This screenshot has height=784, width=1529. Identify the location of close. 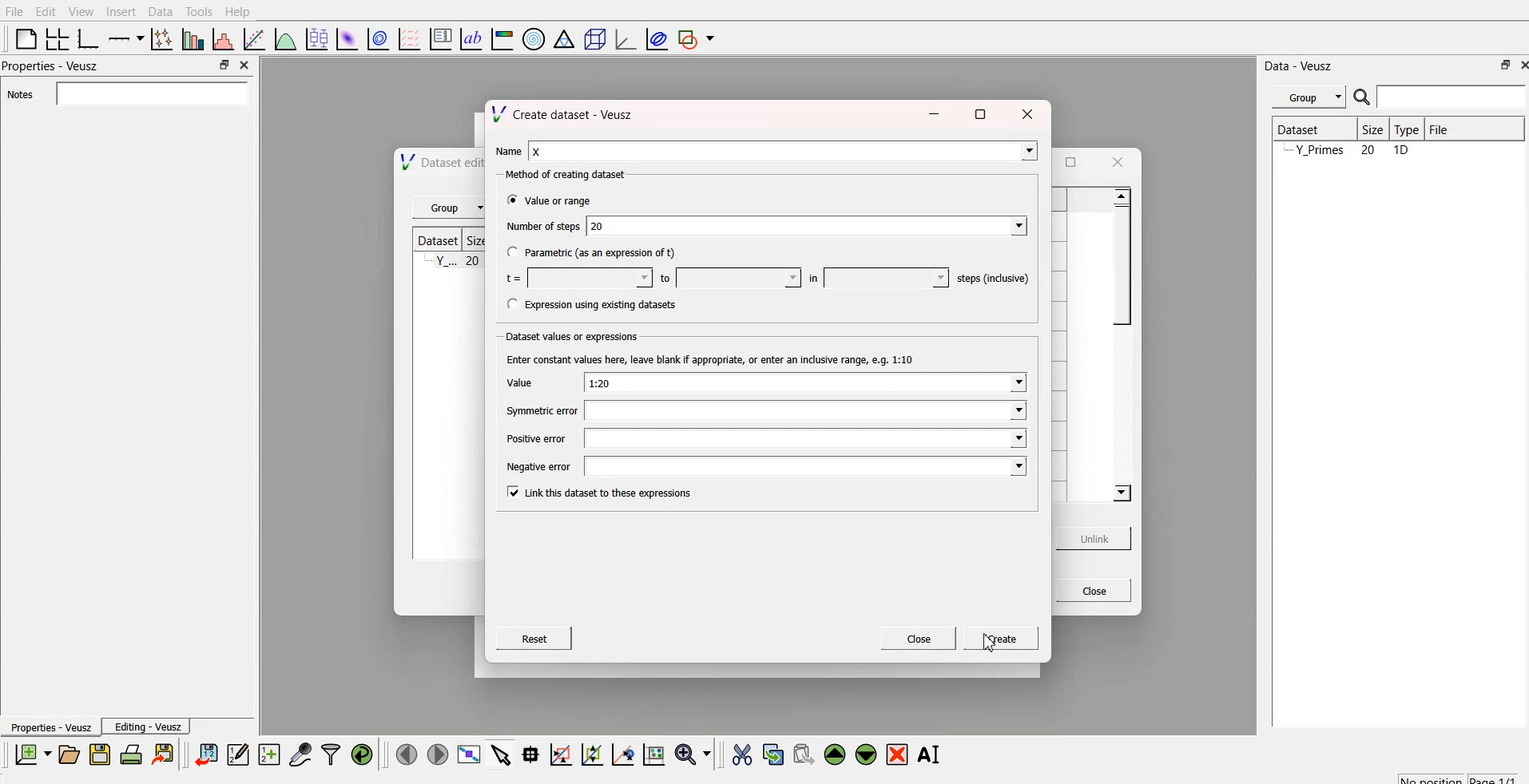
(243, 64).